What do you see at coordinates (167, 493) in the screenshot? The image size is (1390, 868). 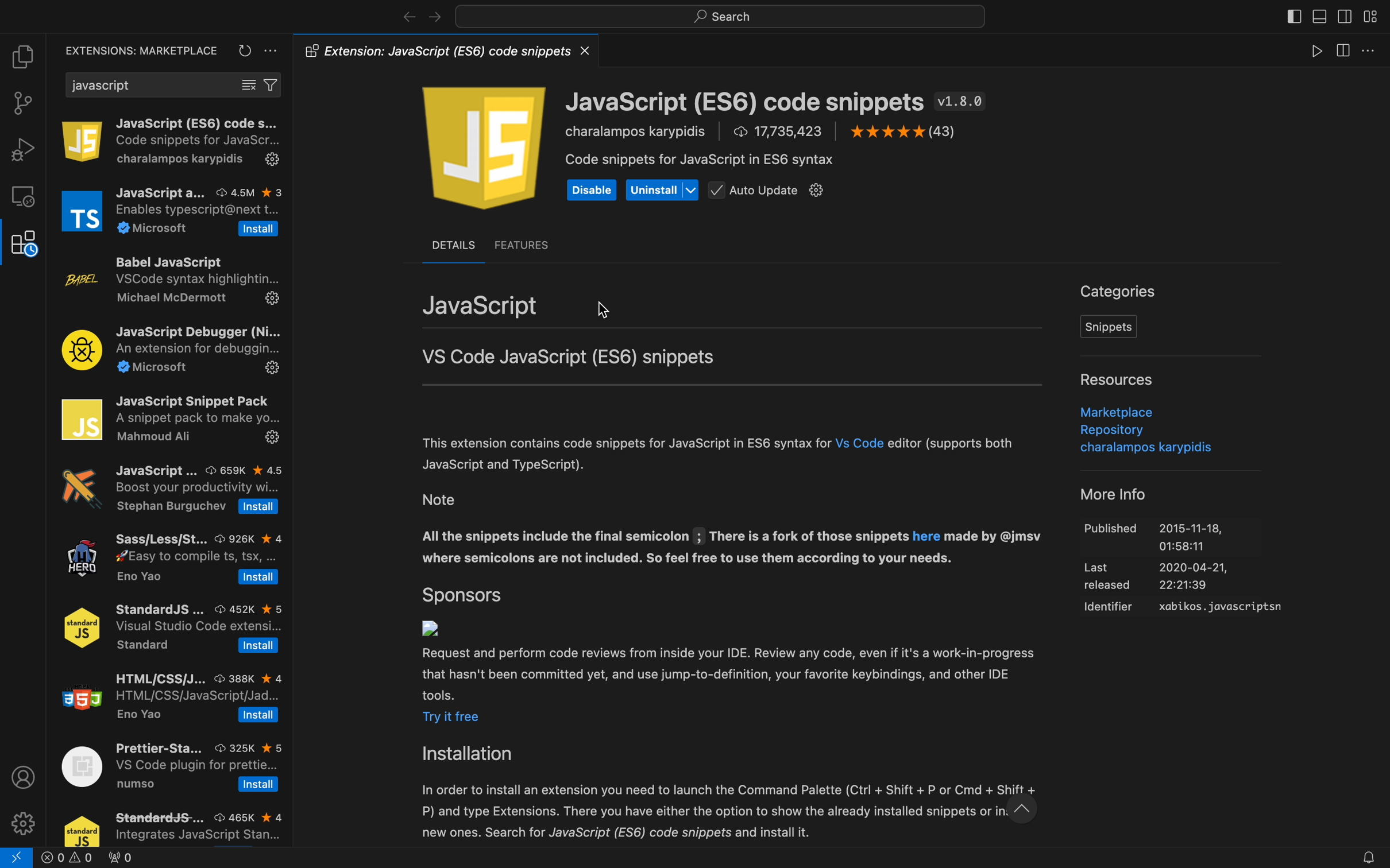 I see `JavaScript ... © 659K k 4.5
Boost your productivity wi...
Stephan Burguchev [Install` at bounding box center [167, 493].